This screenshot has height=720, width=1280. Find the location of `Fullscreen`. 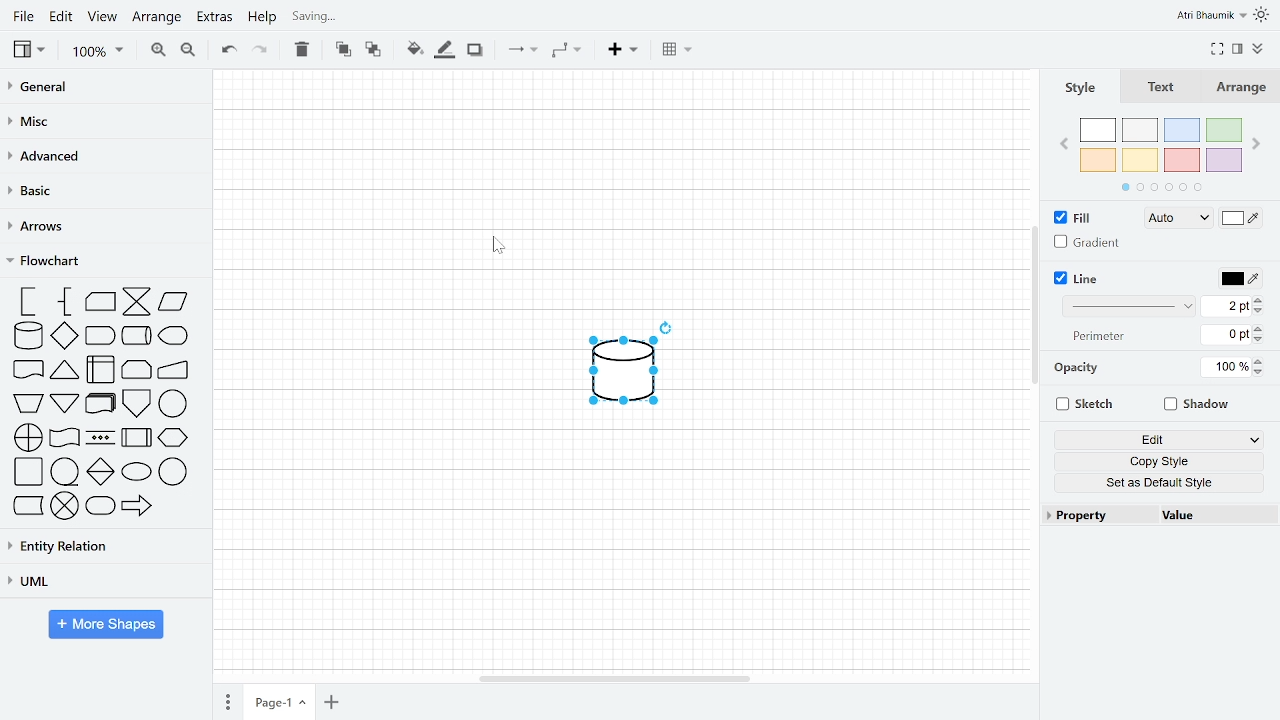

Fullscreen is located at coordinates (1218, 50).